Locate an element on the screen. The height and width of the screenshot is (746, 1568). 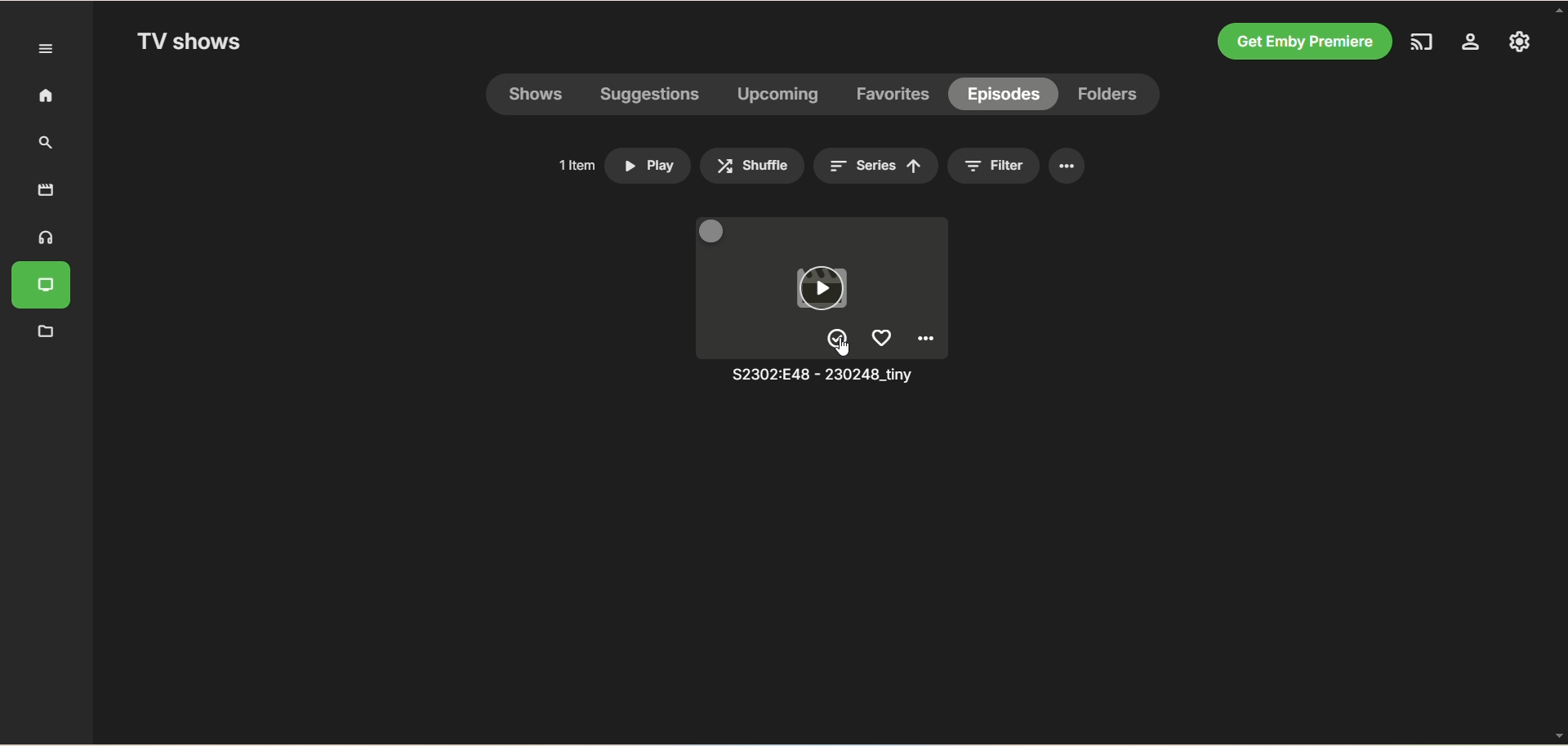
options is located at coordinates (1067, 167).